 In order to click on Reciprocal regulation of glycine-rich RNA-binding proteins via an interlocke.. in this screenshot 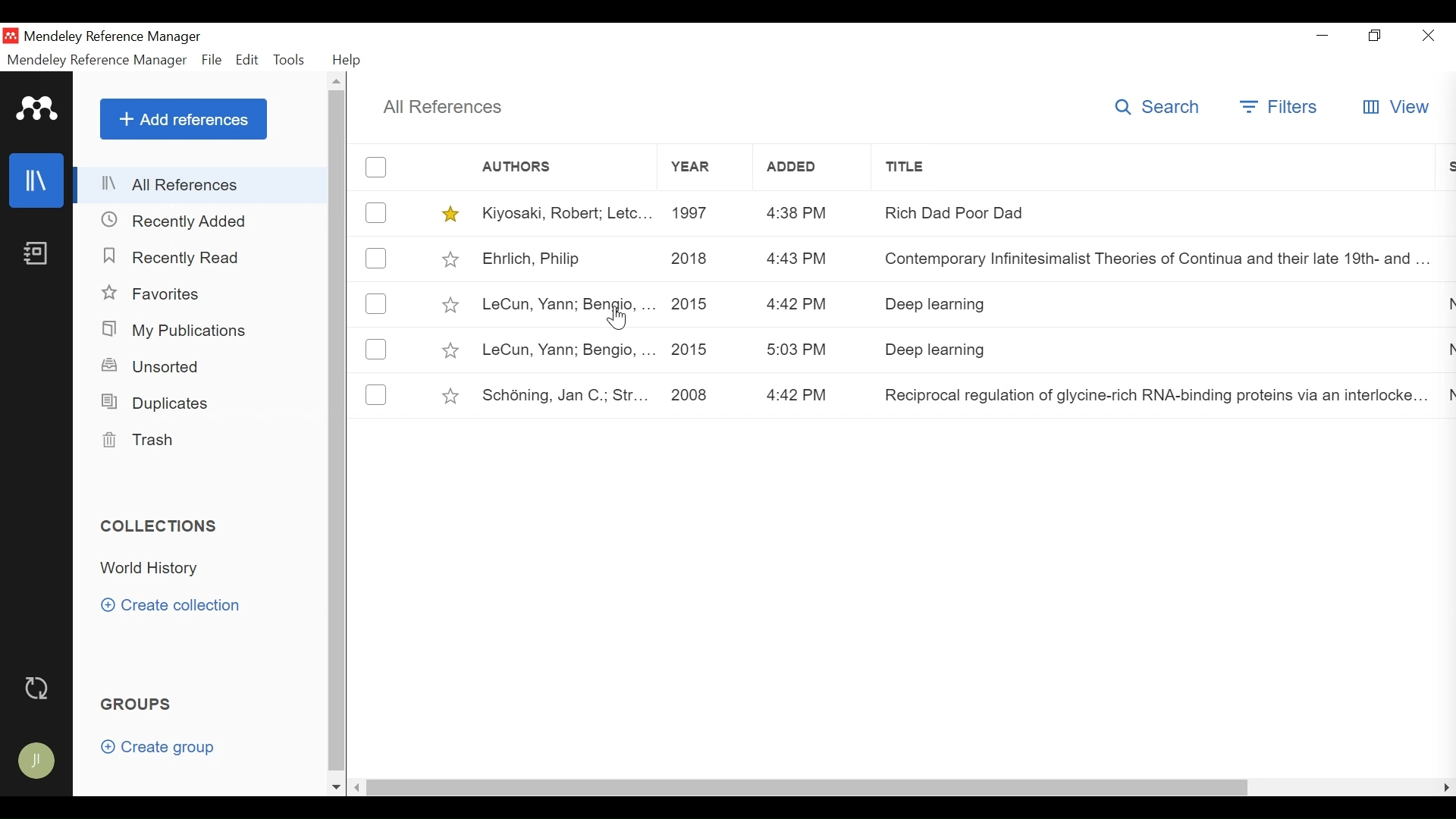, I will do `click(1143, 399)`.